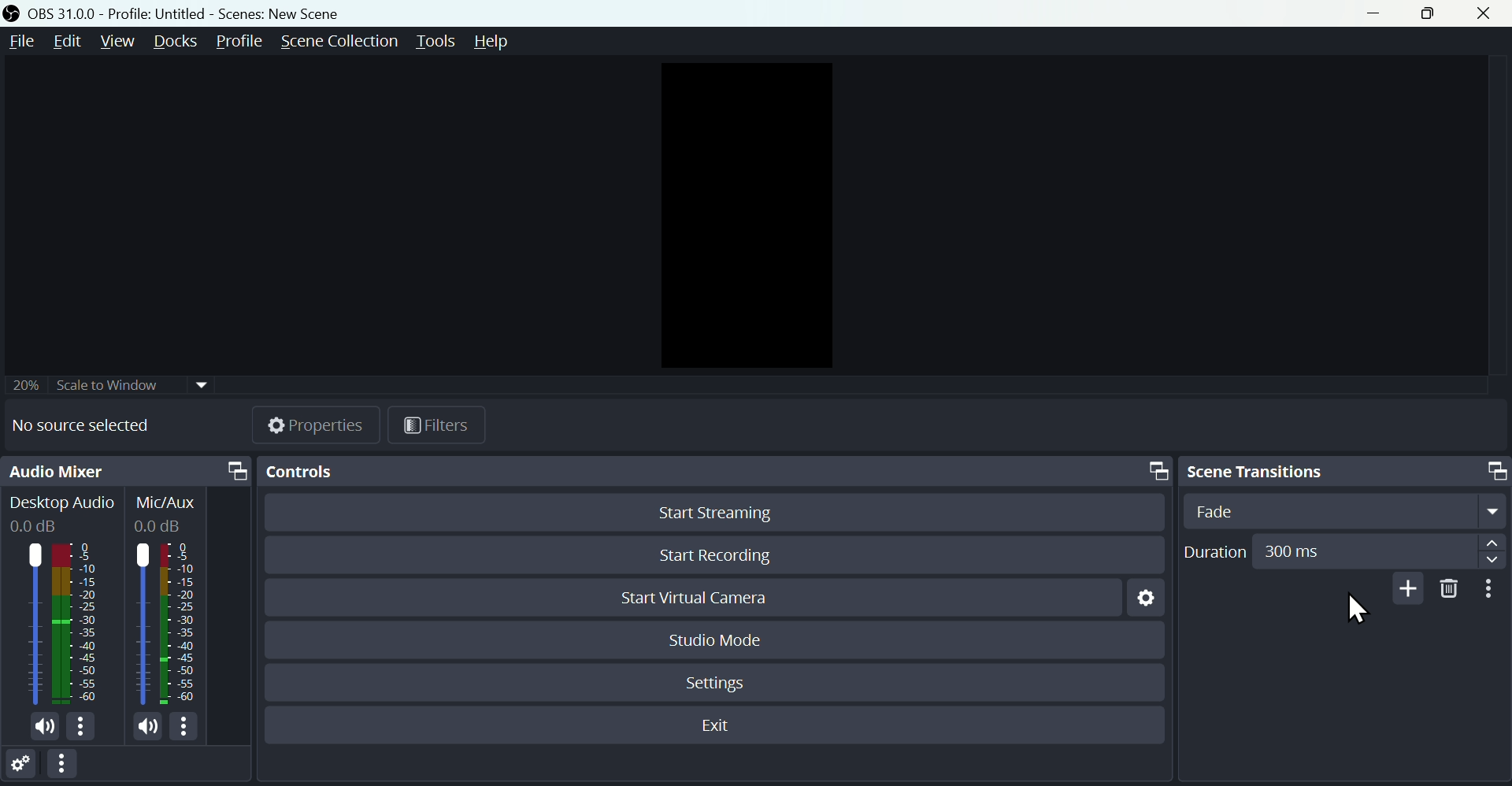 This screenshot has height=786, width=1512. What do you see at coordinates (165, 527) in the screenshot?
I see `0.0dB` at bounding box center [165, 527].